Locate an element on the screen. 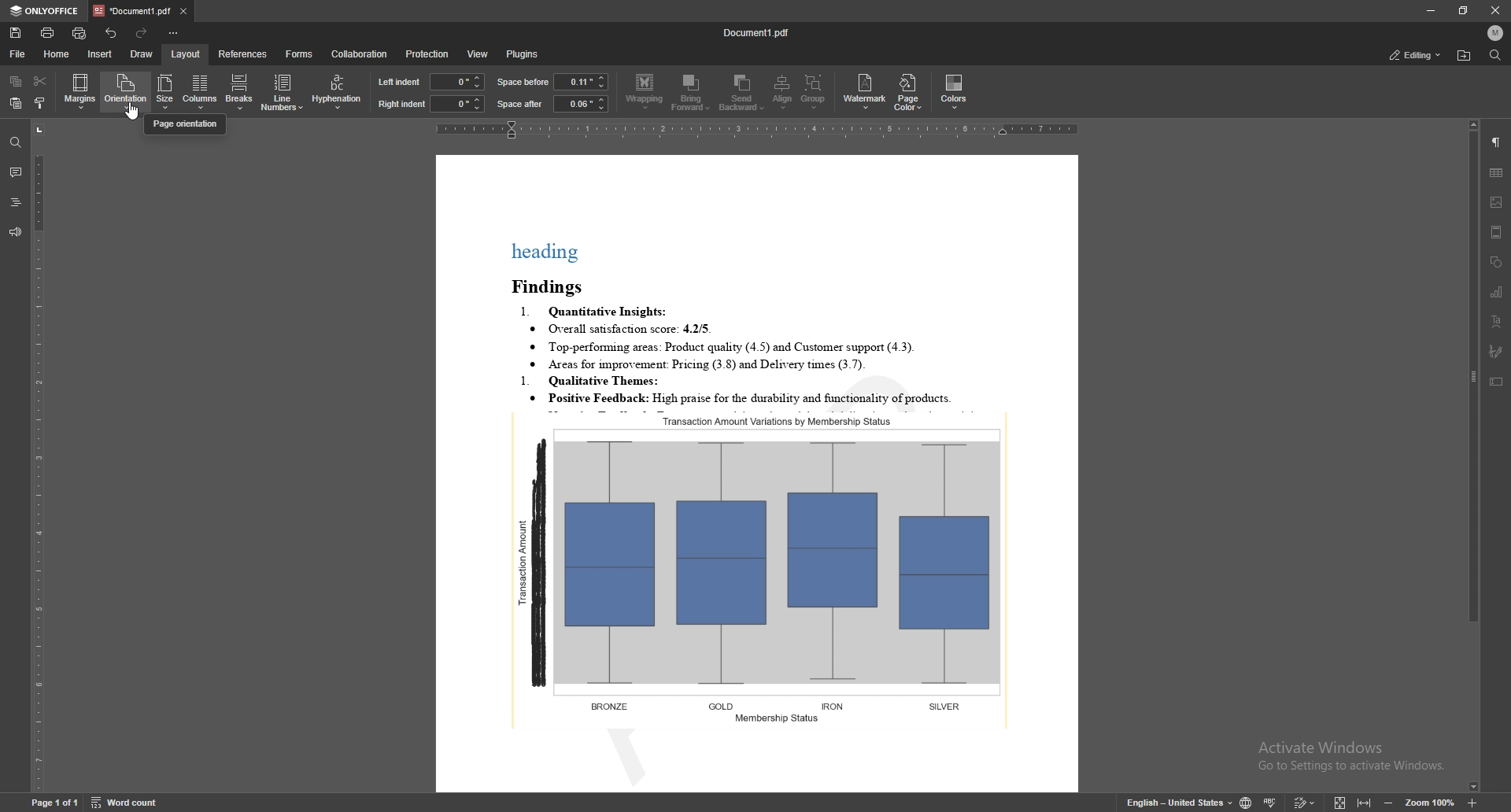  track changes is located at coordinates (1305, 802).